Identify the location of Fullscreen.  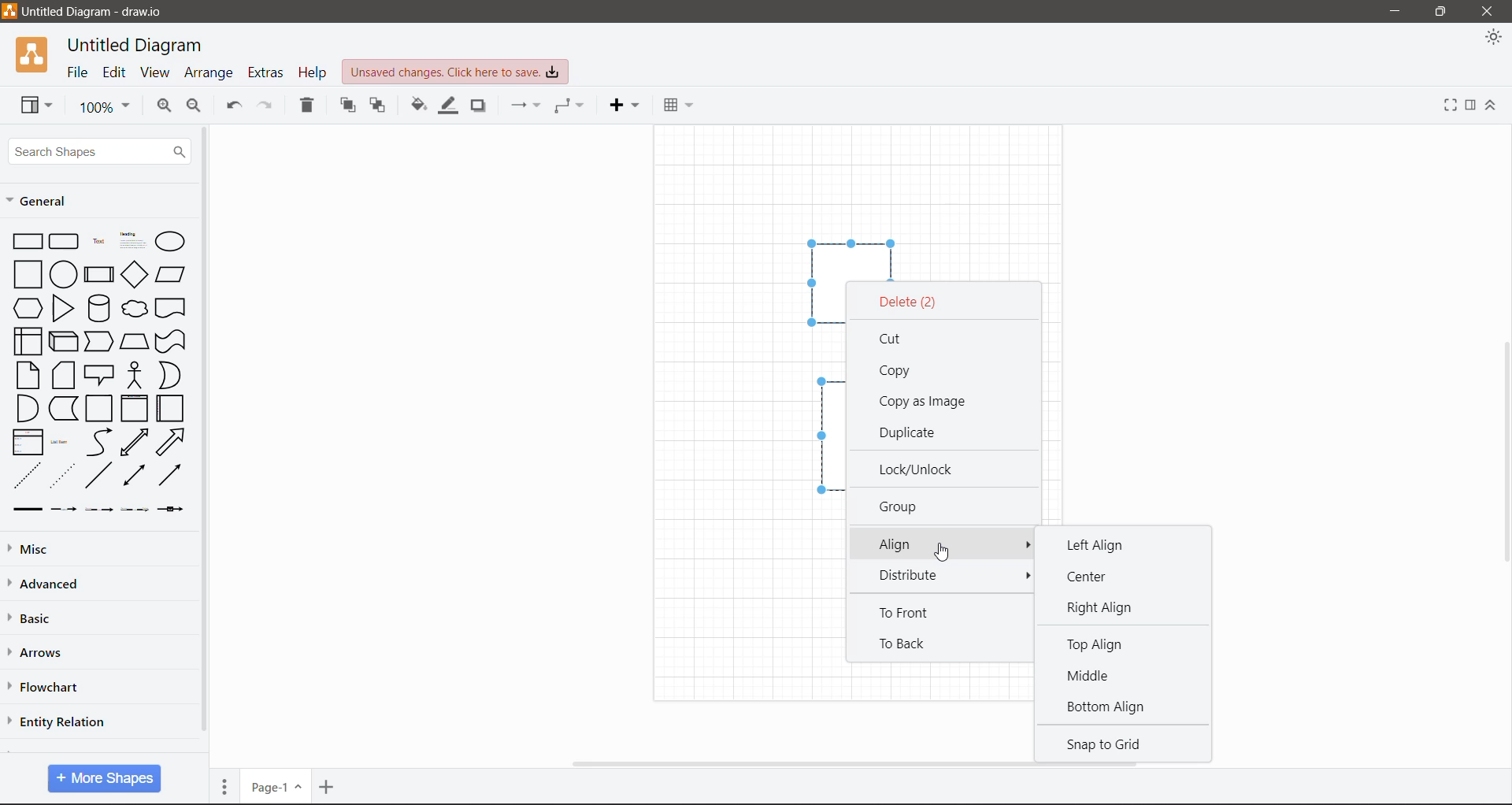
(1450, 105).